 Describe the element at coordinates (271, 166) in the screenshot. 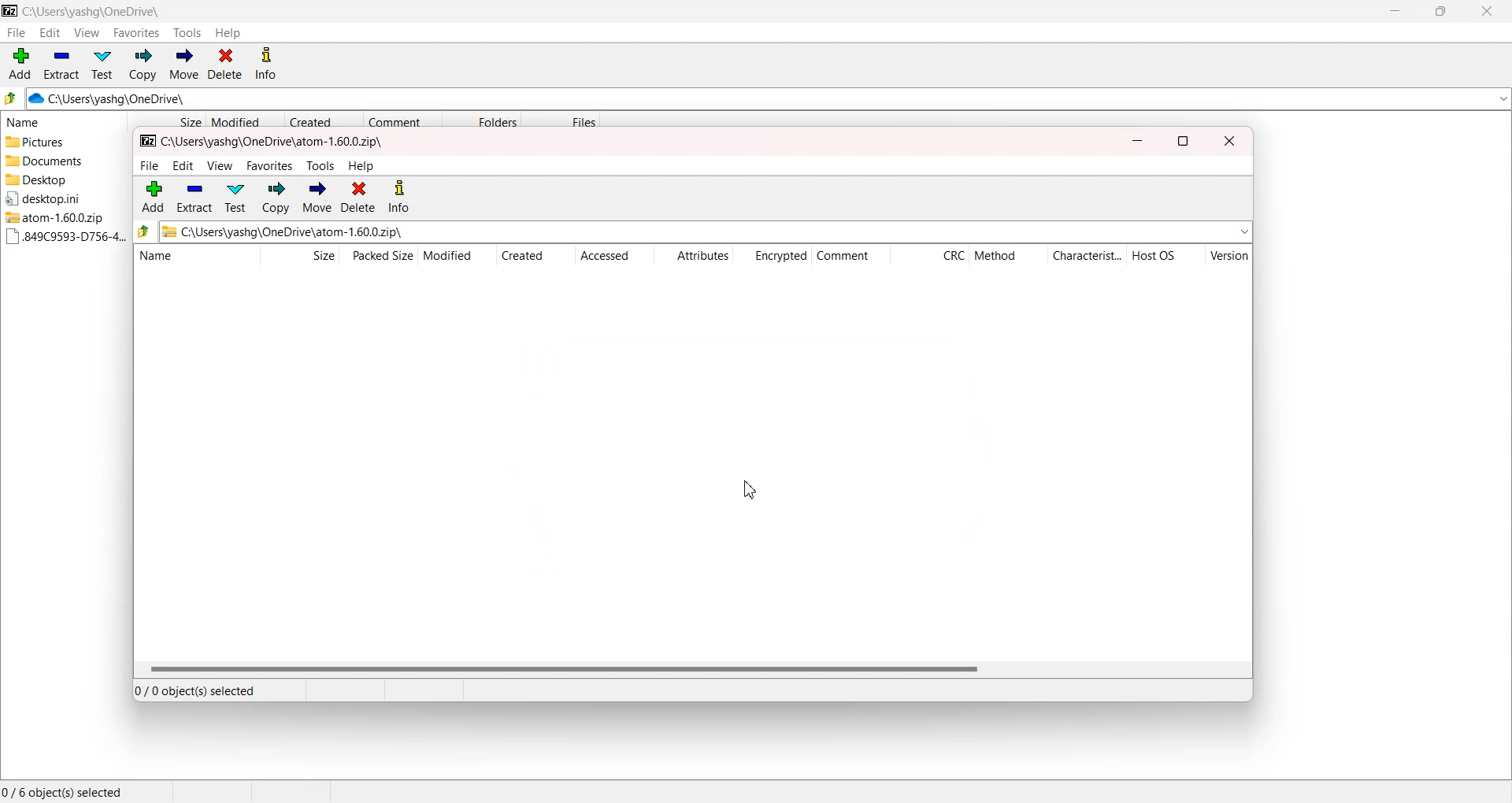

I see `favorites` at that location.